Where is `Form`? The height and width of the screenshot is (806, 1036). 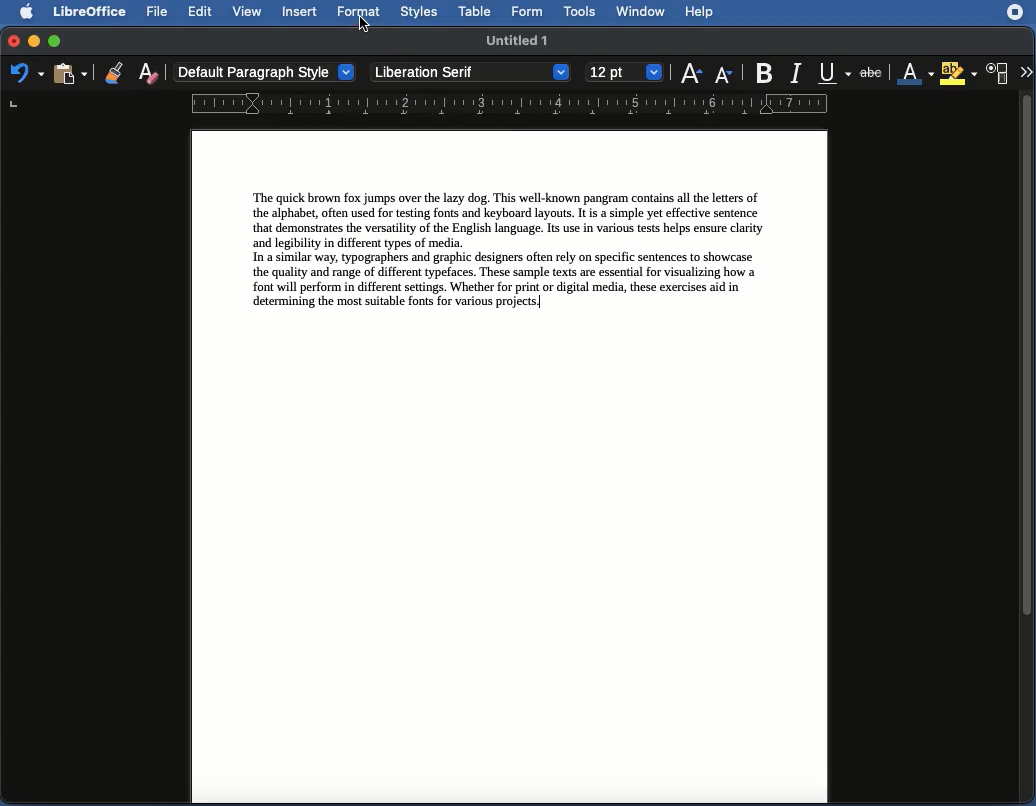 Form is located at coordinates (529, 13).